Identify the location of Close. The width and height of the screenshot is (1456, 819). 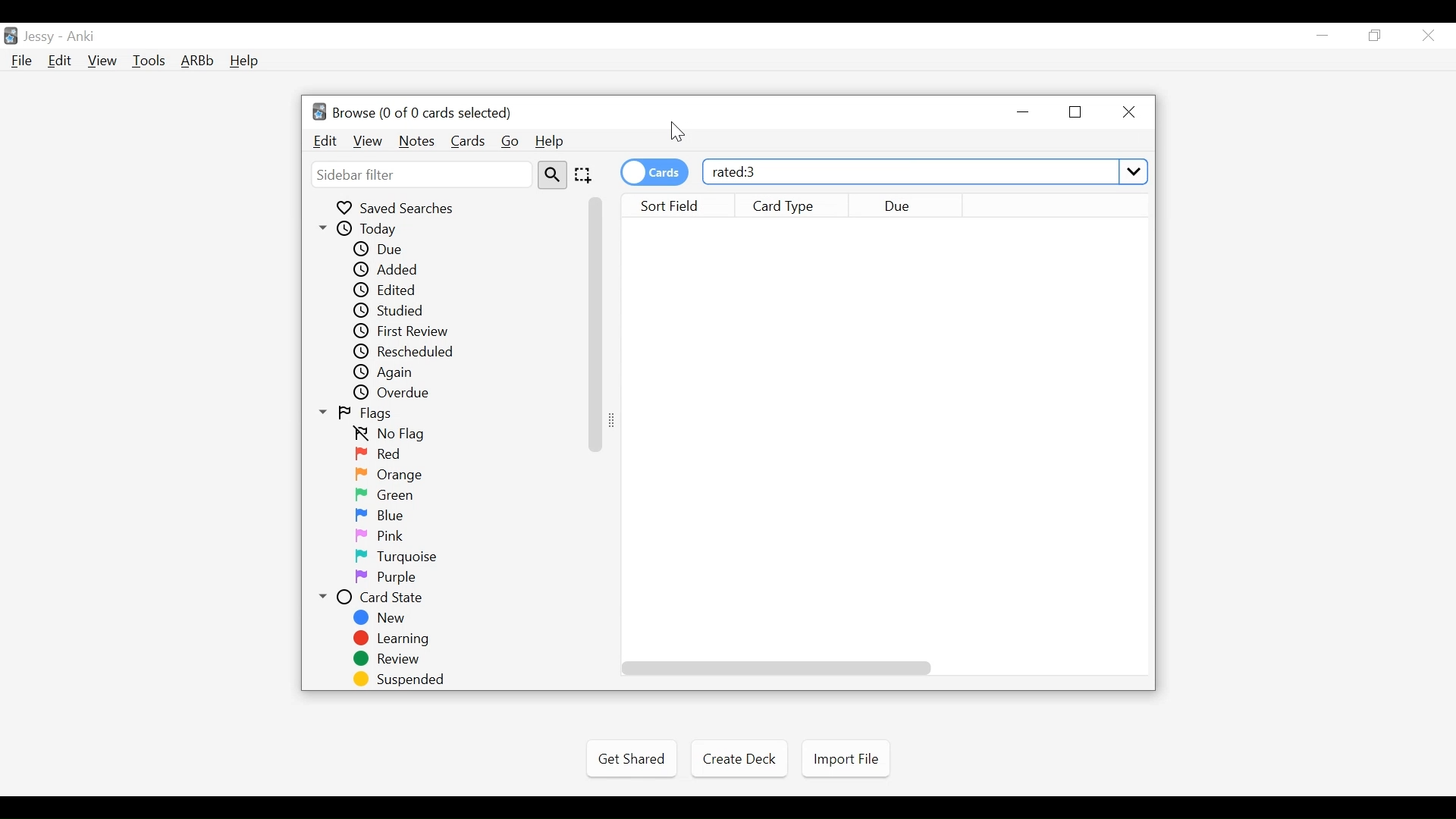
(1129, 113).